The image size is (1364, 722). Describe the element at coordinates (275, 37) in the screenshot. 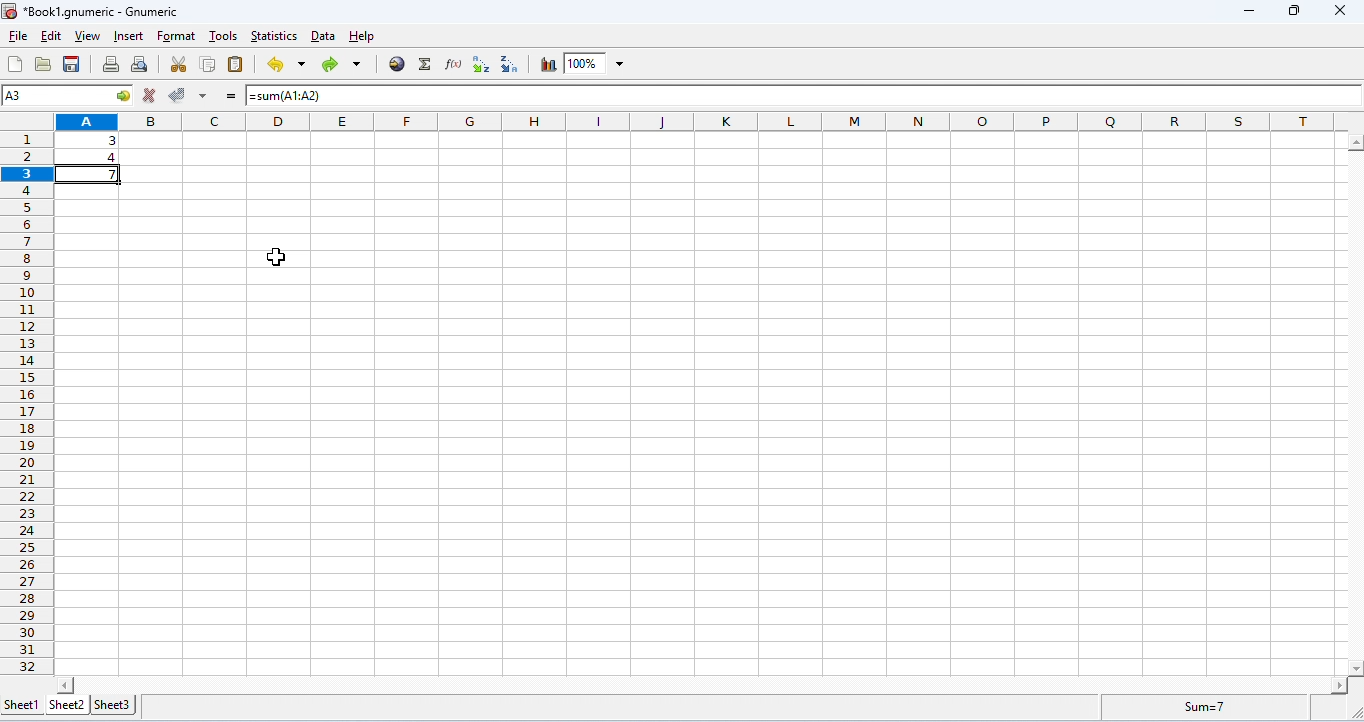

I see `statistics` at that location.